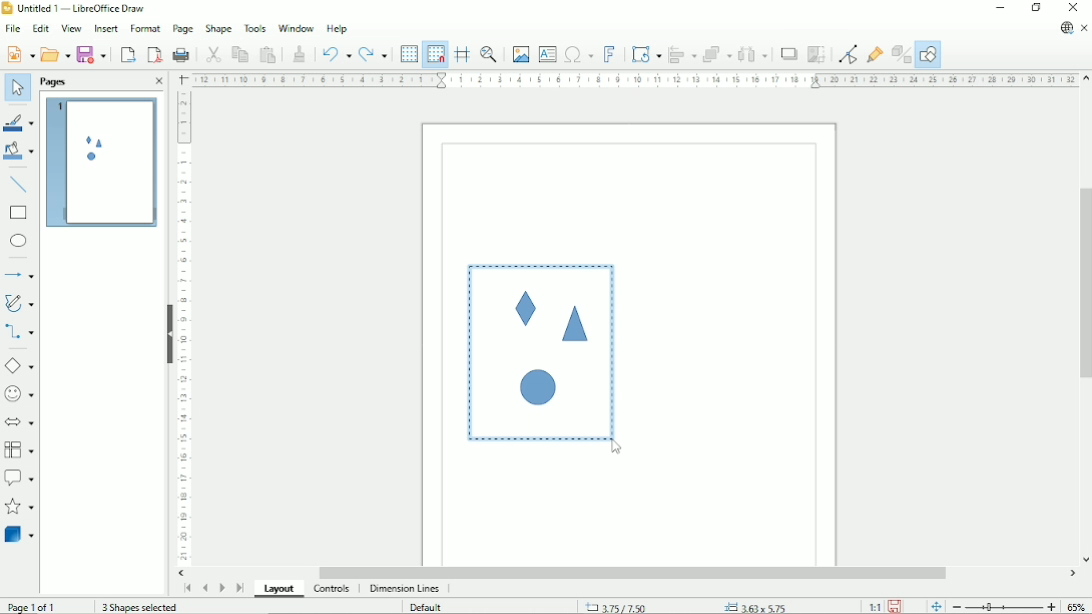 This screenshot has width=1092, height=614. Describe the element at coordinates (18, 120) in the screenshot. I see `Line color` at that location.